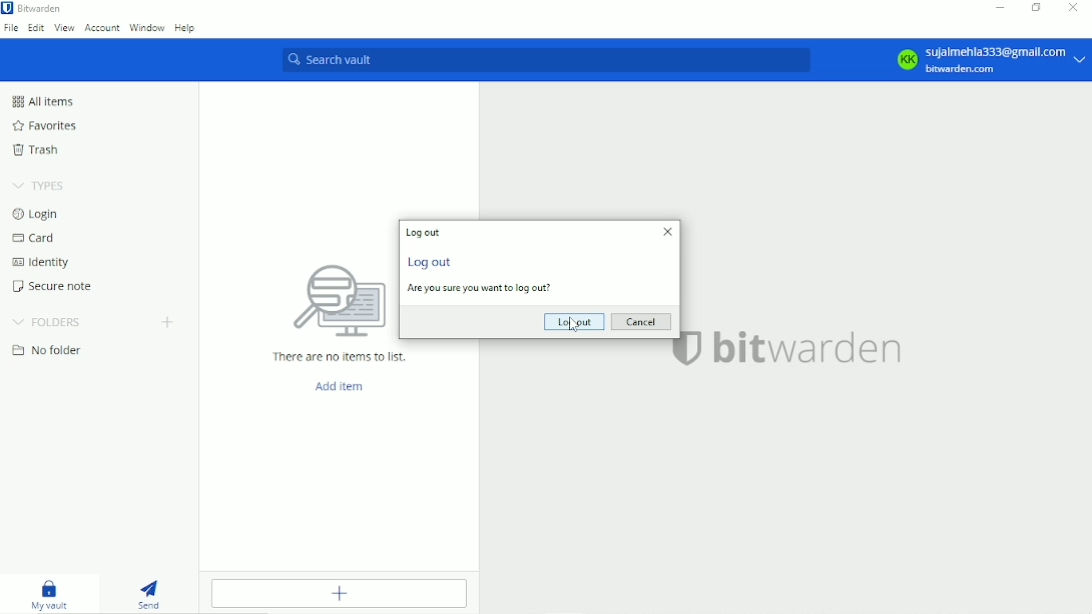 The width and height of the screenshot is (1092, 614). What do you see at coordinates (64, 28) in the screenshot?
I see `View` at bounding box center [64, 28].